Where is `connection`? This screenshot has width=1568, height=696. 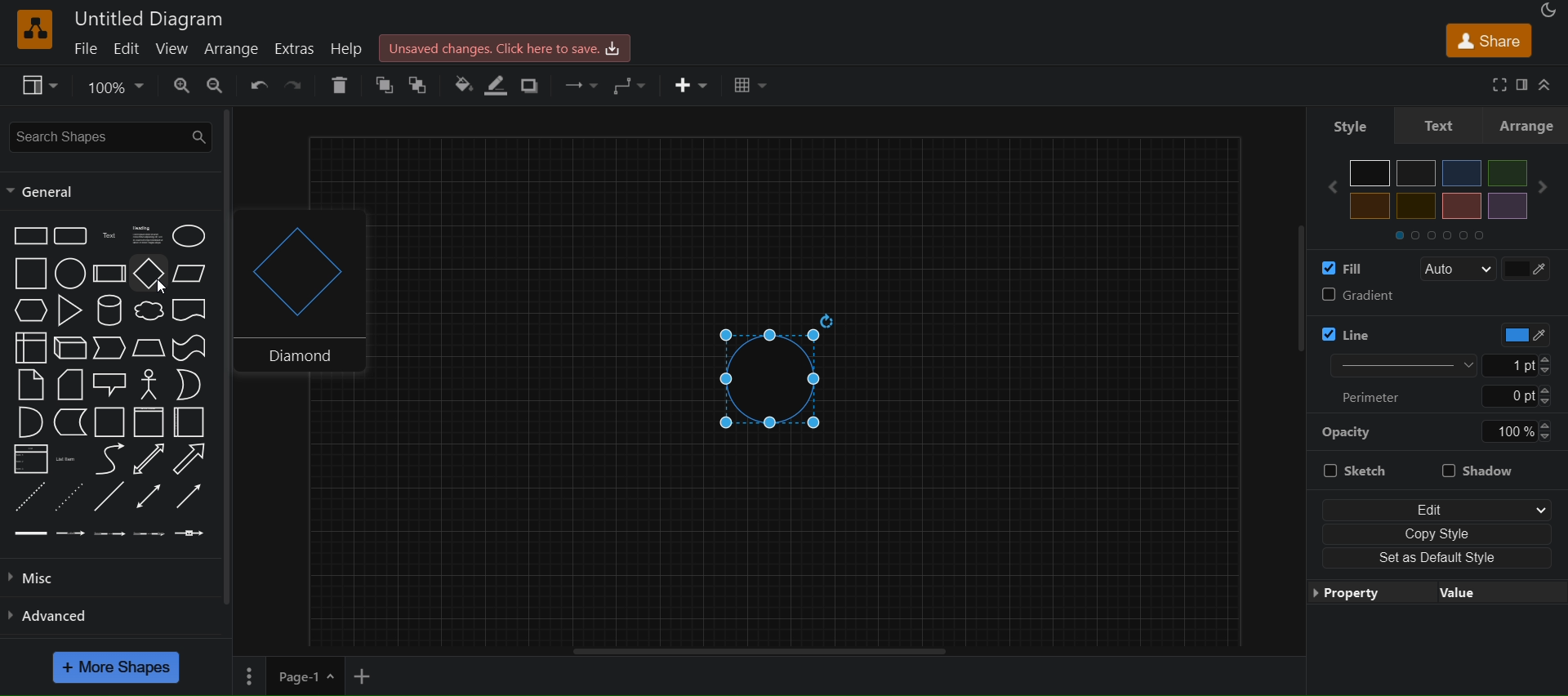 connection is located at coordinates (576, 82).